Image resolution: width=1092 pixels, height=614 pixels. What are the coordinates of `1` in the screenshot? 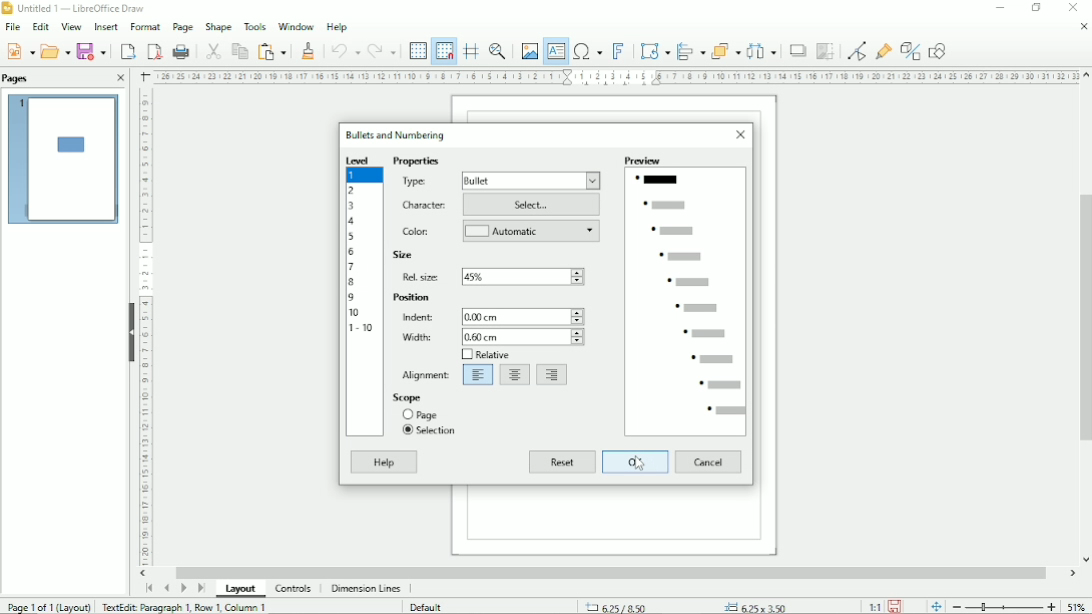 It's located at (355, 175).